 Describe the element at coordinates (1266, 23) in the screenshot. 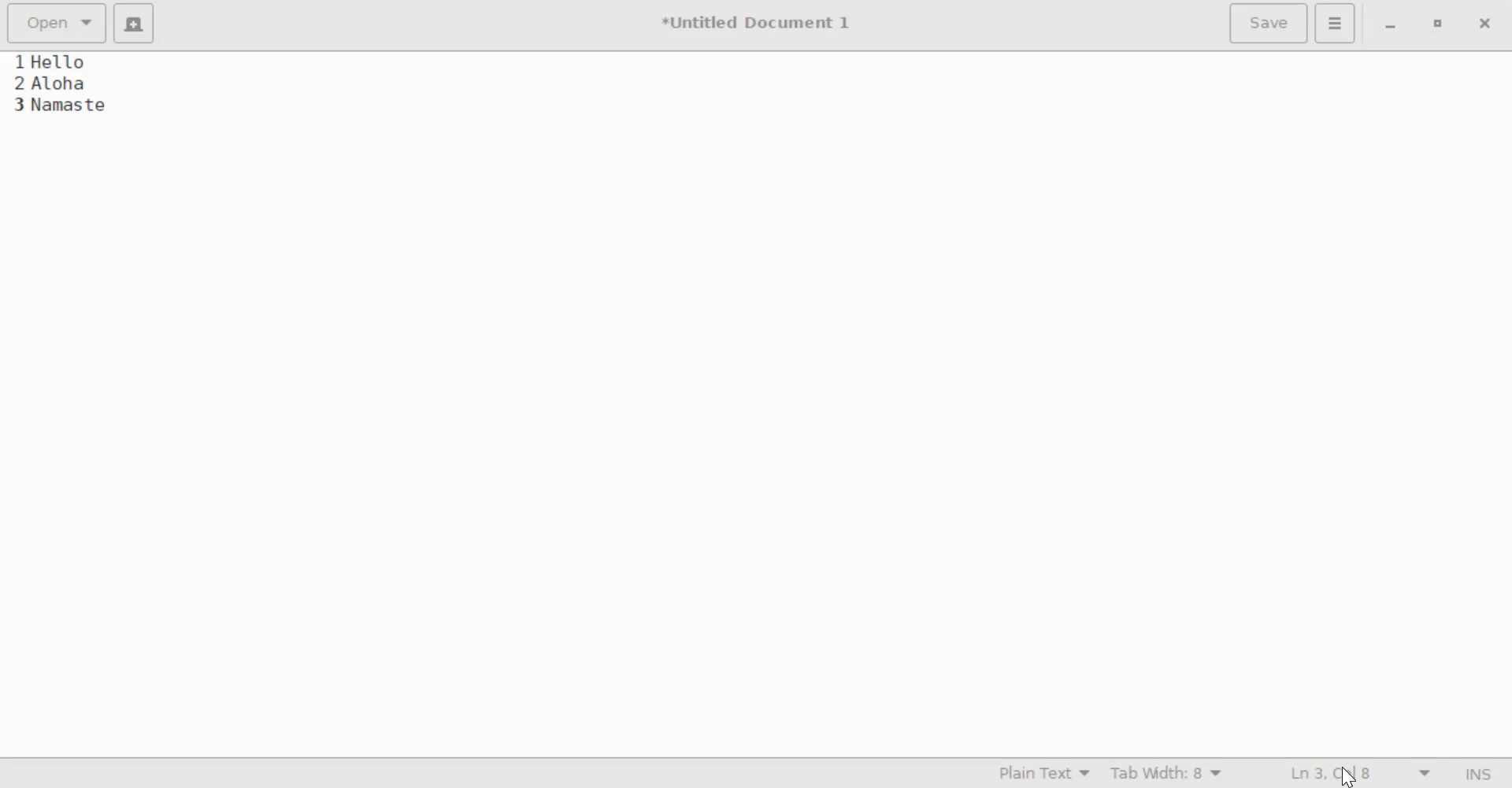

I see `Save` at that location.